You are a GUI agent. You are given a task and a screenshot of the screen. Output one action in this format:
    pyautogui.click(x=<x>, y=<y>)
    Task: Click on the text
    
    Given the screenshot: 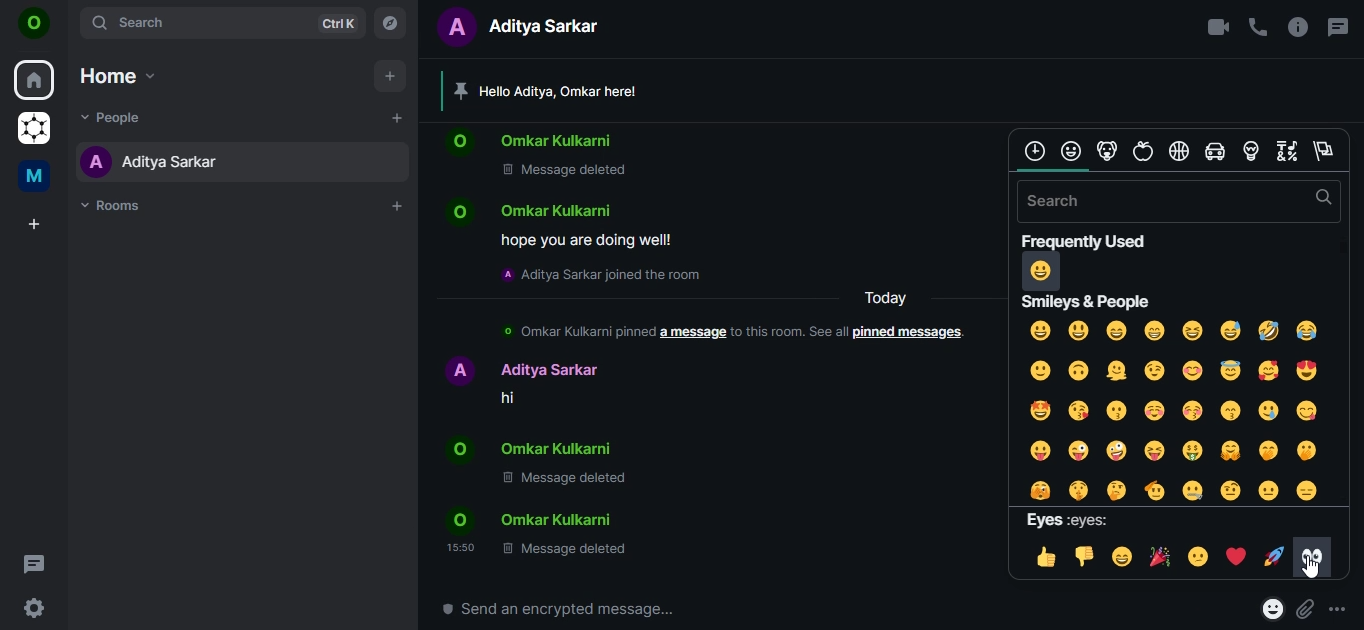 What is the action you would take?
    pyautogui.click(x=528, y=29)
    